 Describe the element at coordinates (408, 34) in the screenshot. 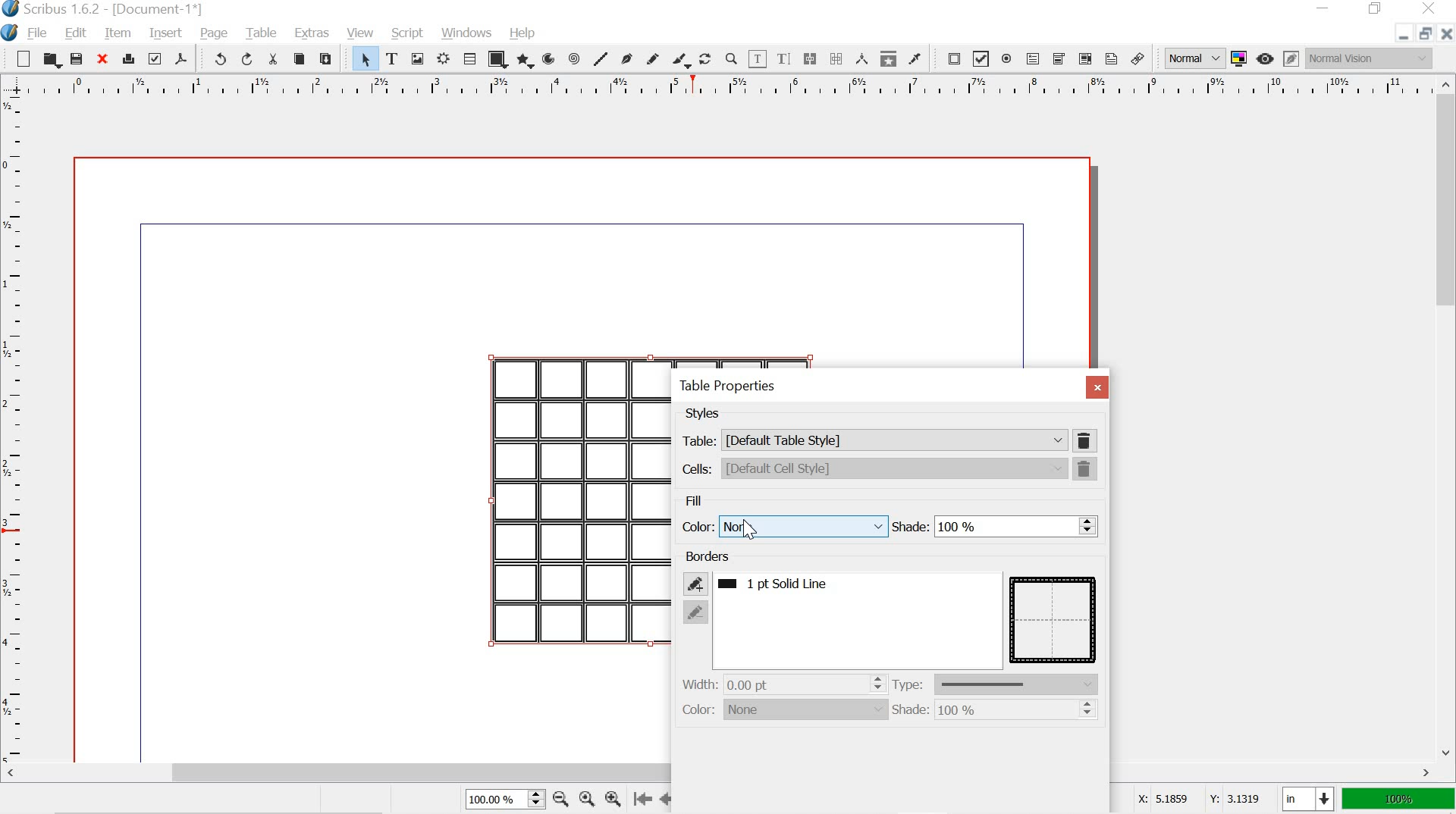

I see `script` at that location.